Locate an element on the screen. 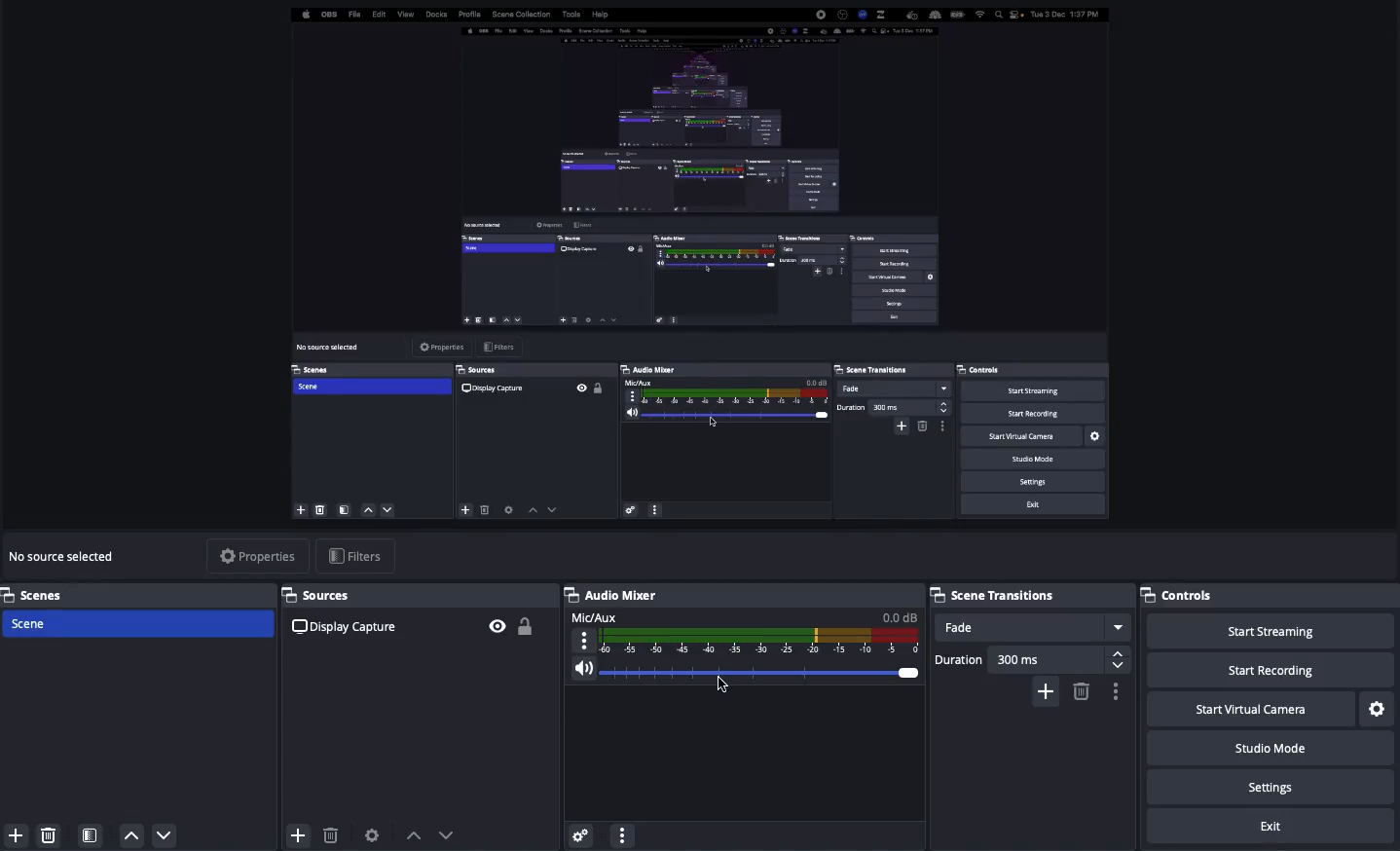  More is located at coordinates (621, 833).